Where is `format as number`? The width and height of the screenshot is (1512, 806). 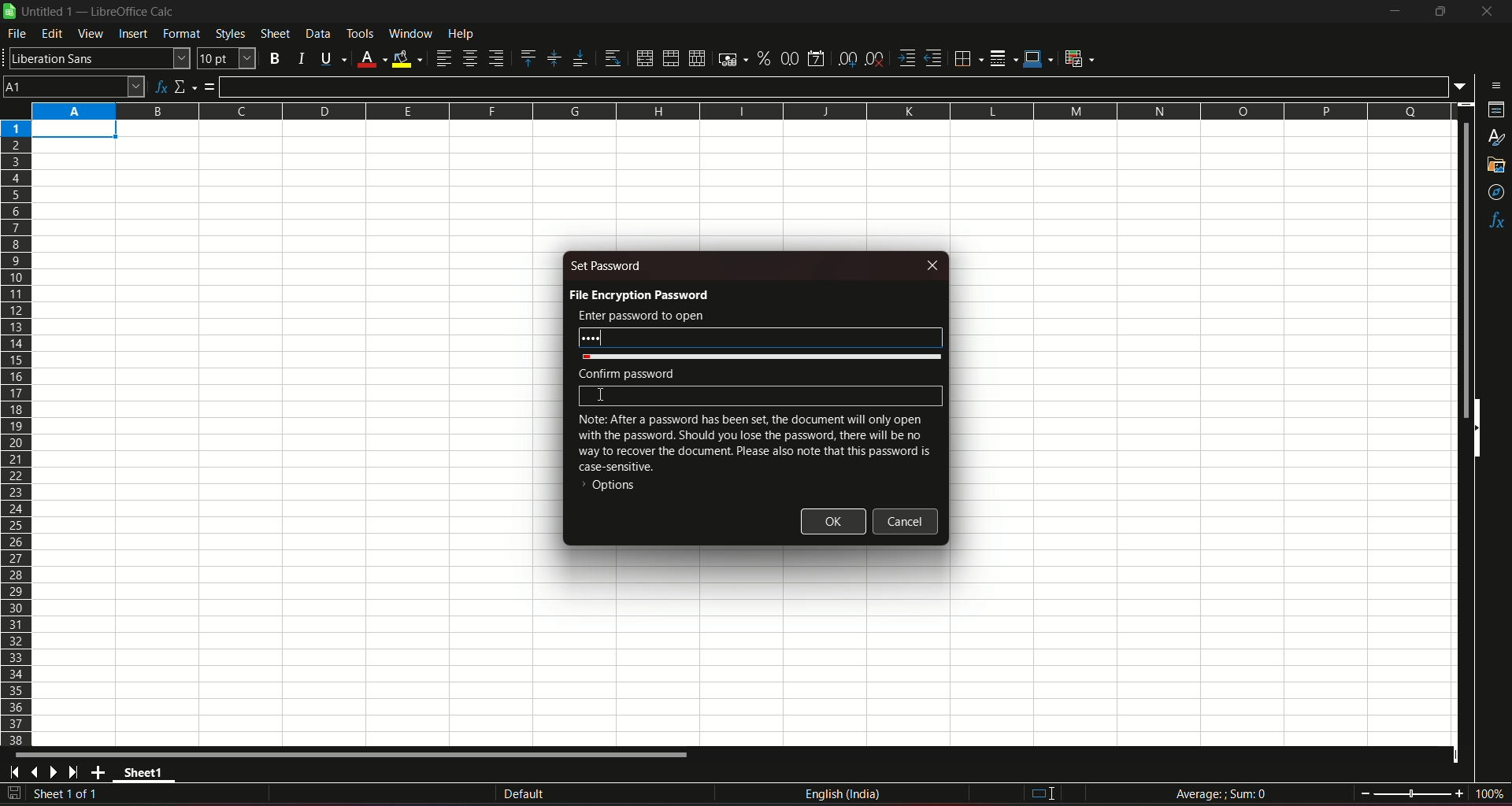
format as number is located at coordinates (790, 58).